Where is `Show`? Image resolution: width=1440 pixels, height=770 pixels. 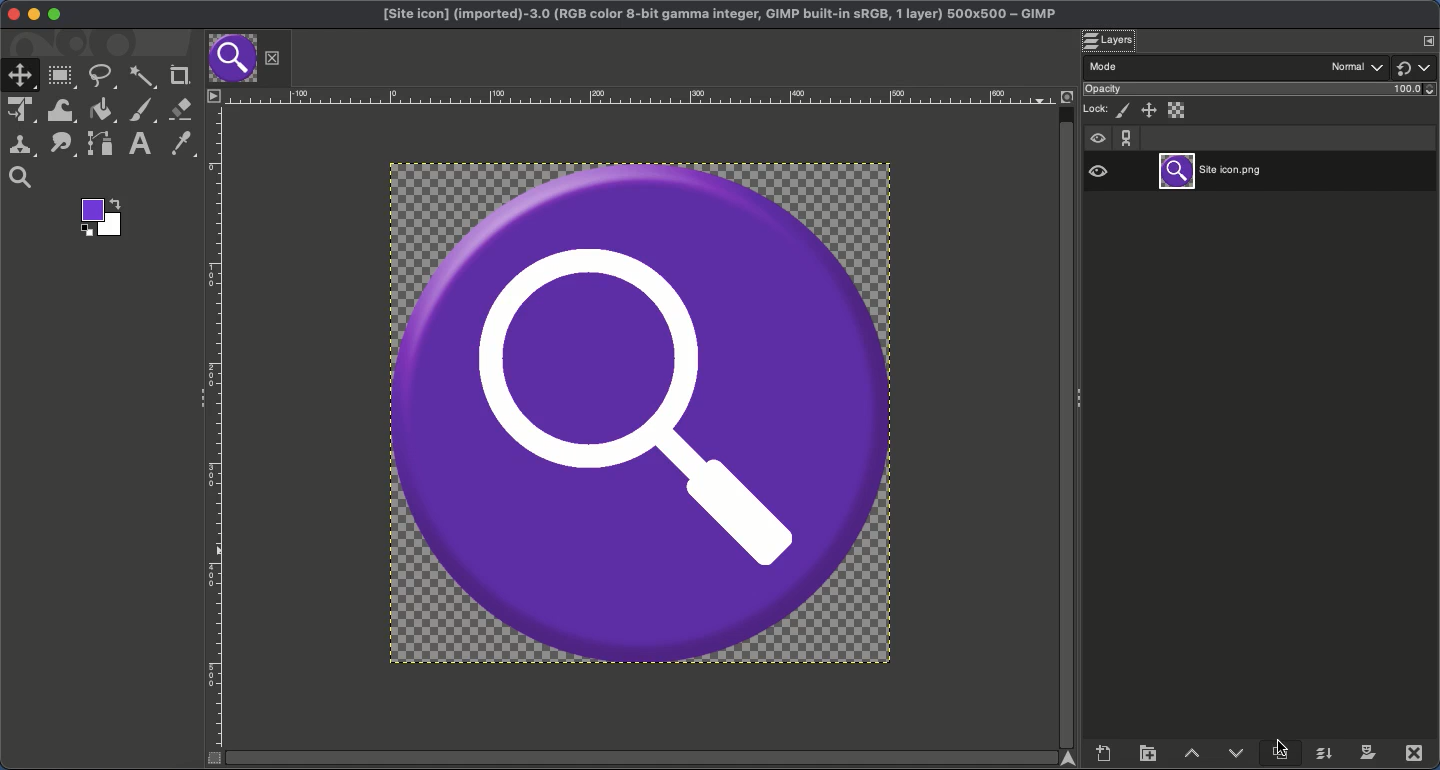 Show is located at coordinates (1429, 67).